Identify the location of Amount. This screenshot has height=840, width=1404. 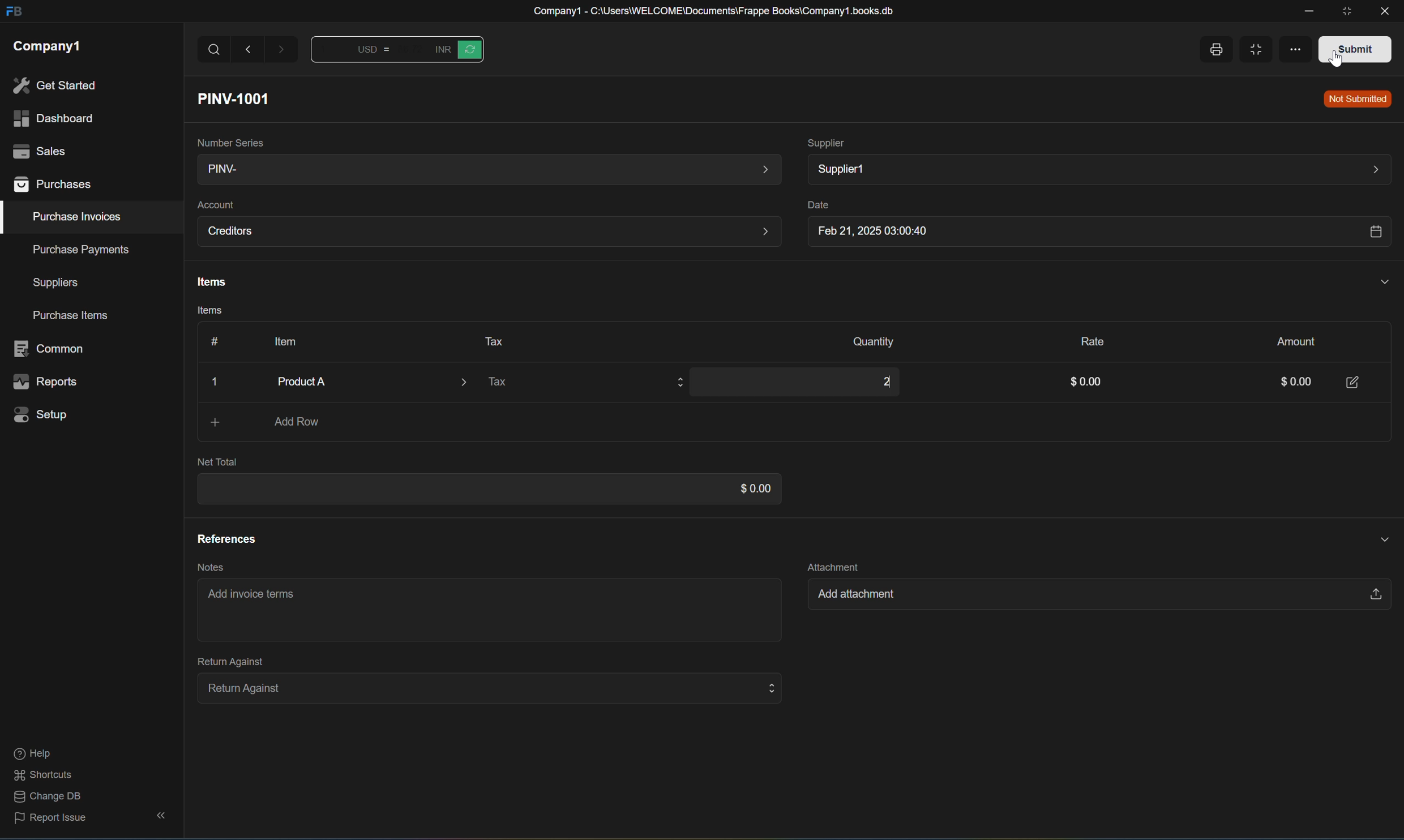
(1290, 340).